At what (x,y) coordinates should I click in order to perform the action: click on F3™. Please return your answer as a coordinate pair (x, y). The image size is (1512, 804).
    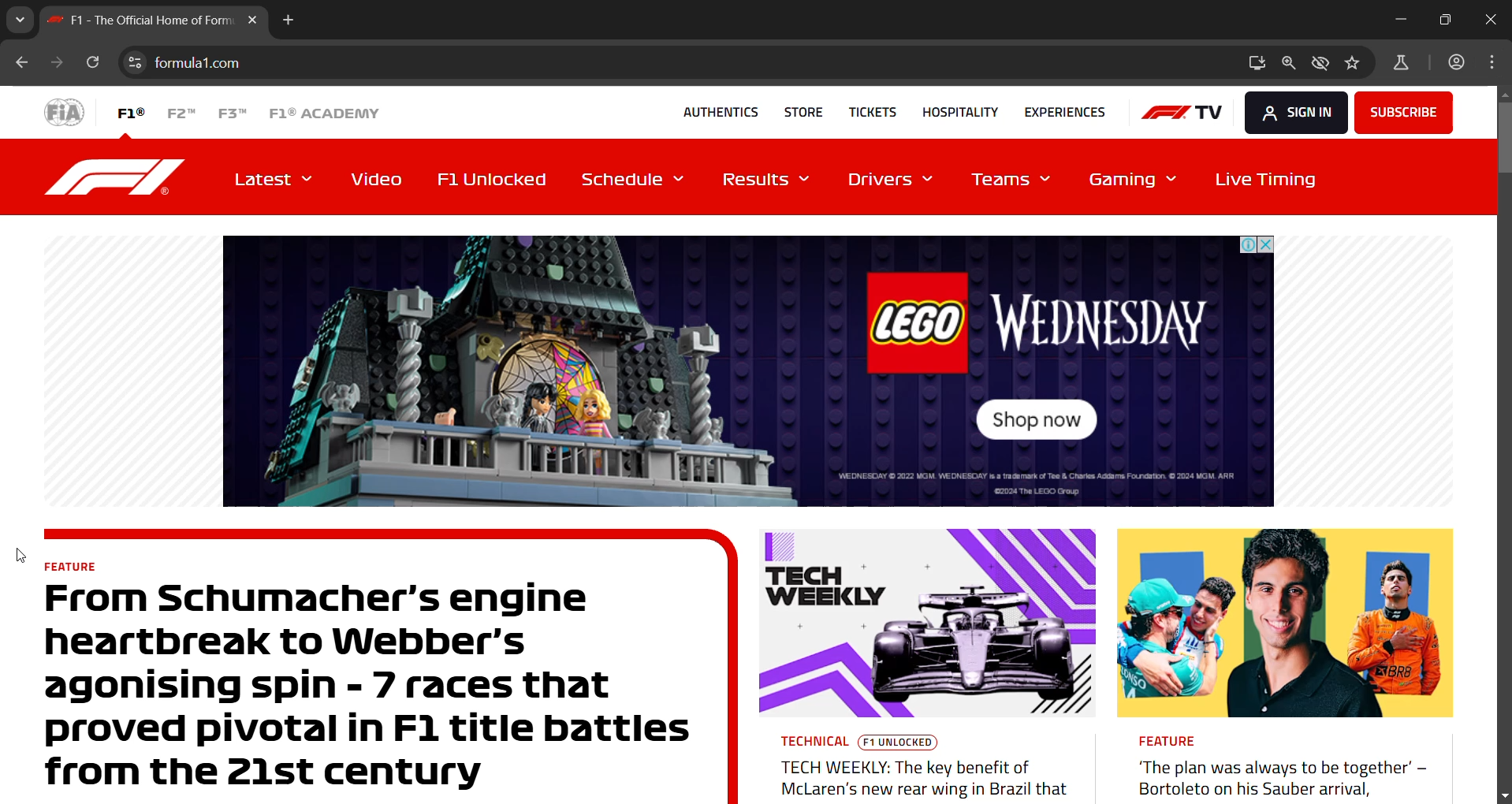
    Looking at the image, I should click on (234, 112).